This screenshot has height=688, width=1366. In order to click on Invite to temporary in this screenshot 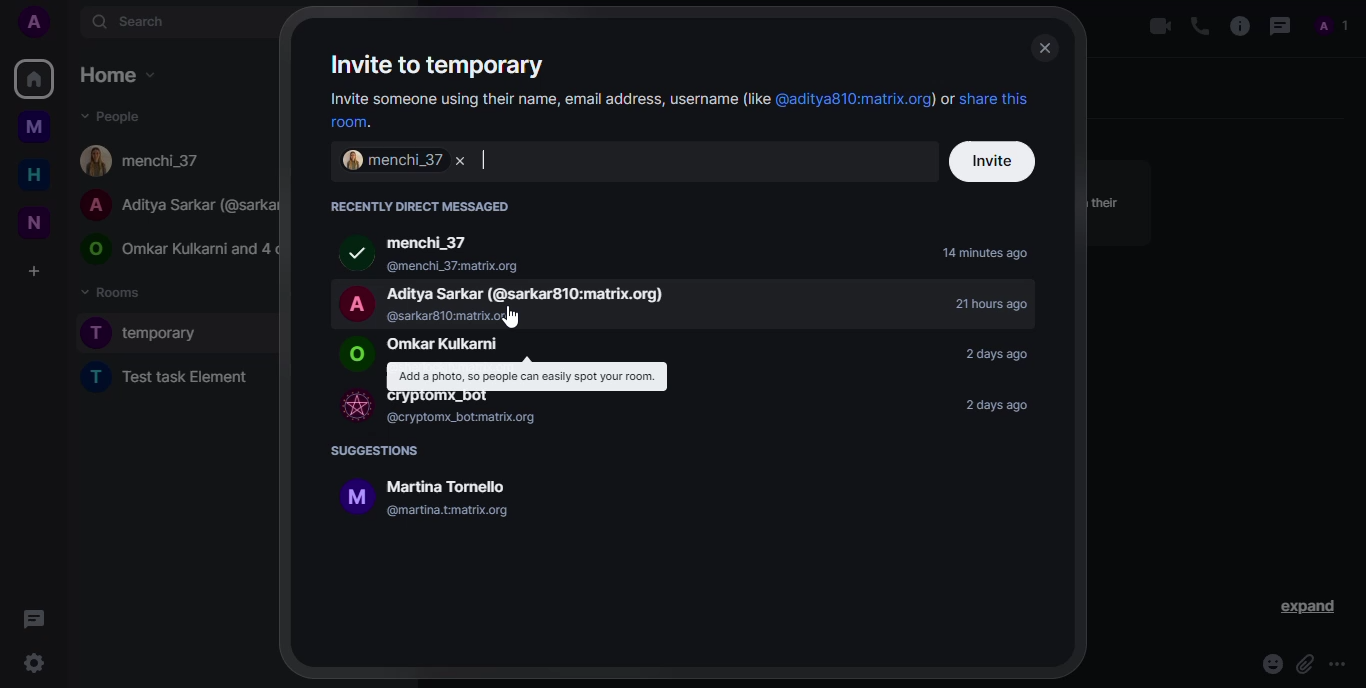, I will do `click(455, 65)`.